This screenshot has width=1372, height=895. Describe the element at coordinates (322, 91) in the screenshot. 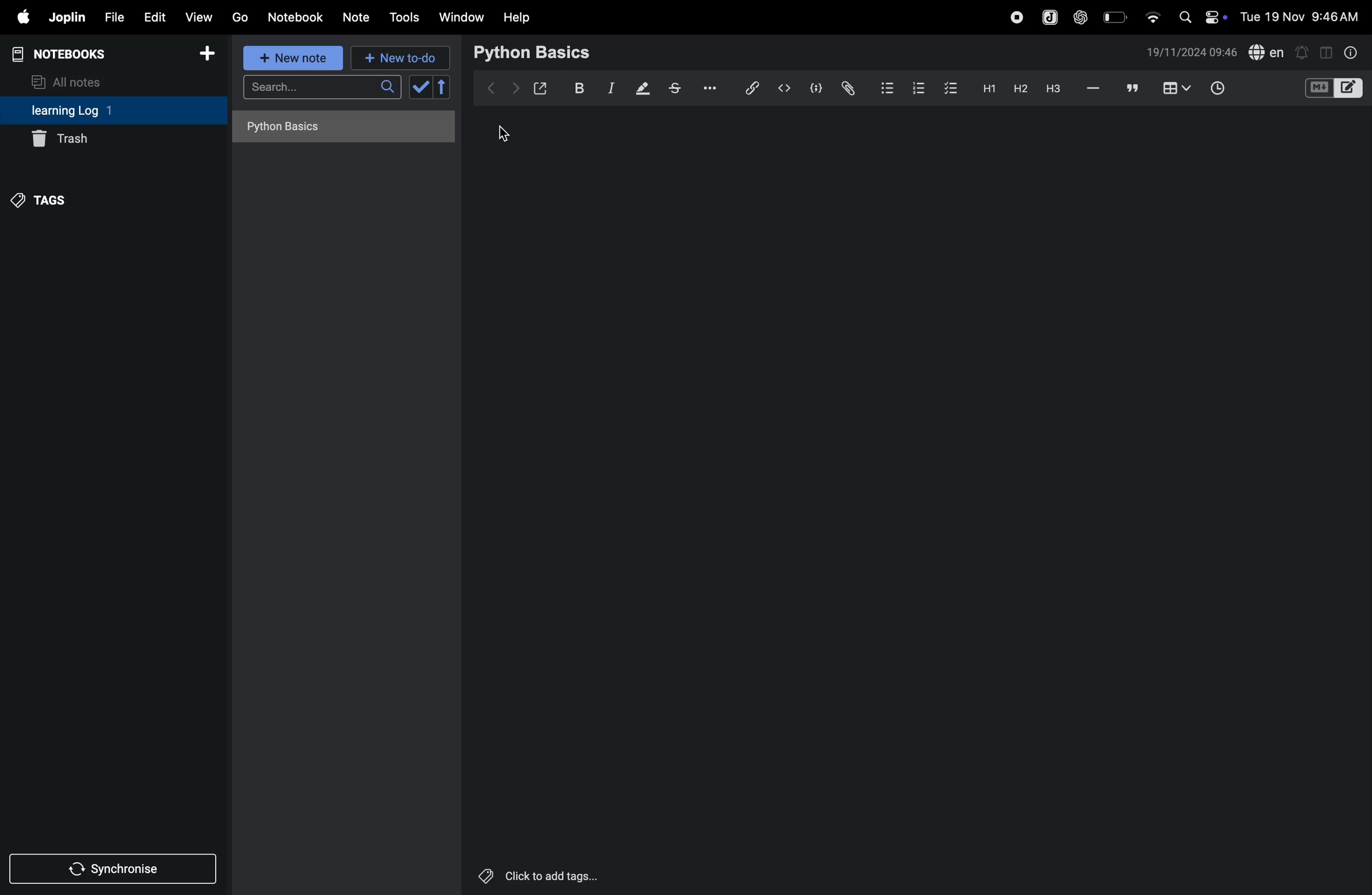

I see `search` at that location.